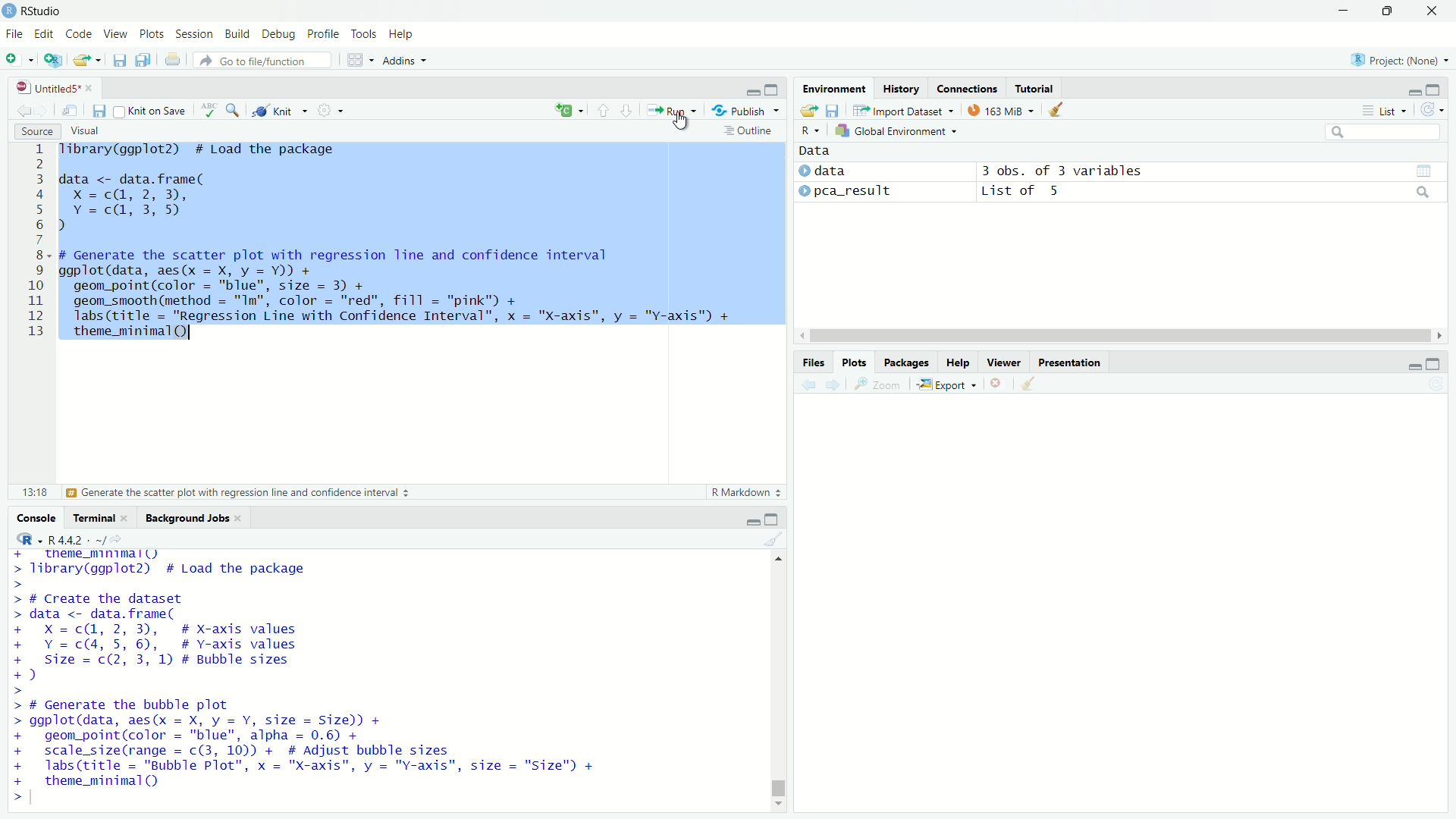 This screenshot has height=819, width=1456. What do you see at coordinates (14, 34) in the screenshot?
I see `File` at bounding box center [14, 34].